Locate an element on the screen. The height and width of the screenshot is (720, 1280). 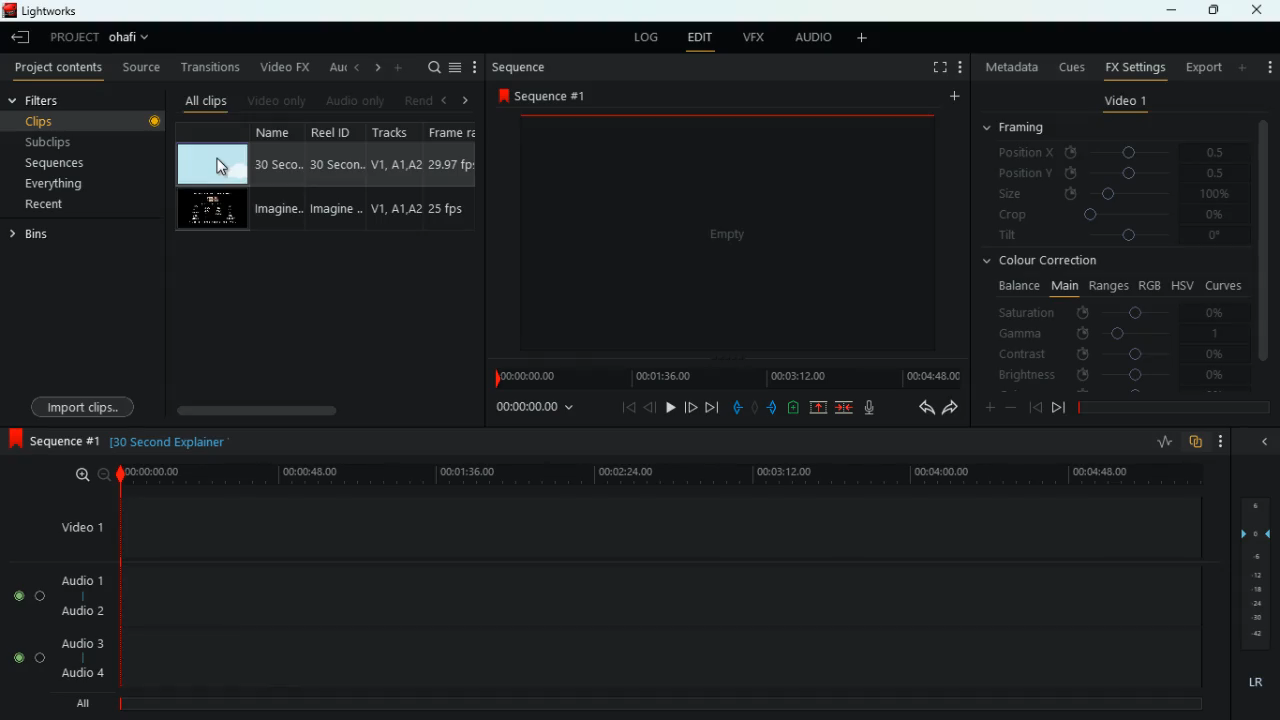
scroll is located at coordinates (300, 407).